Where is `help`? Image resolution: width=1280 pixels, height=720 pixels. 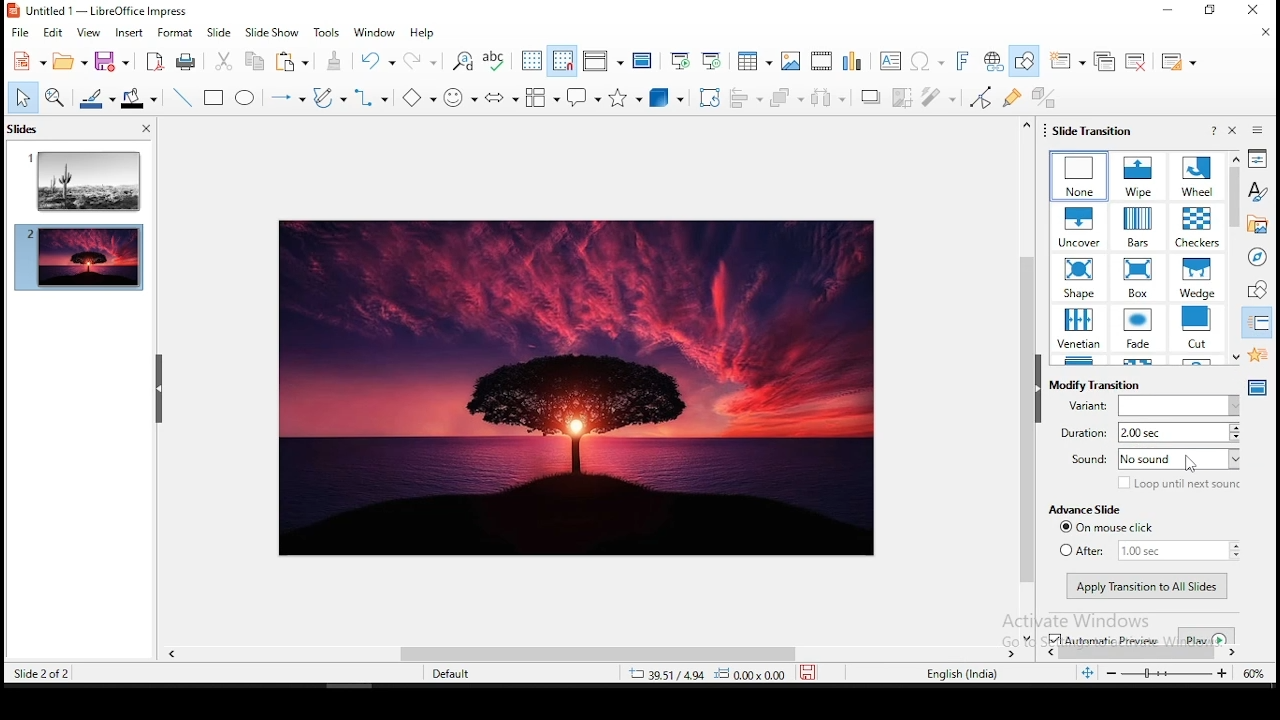 help is located at coordinates (1214, 131).